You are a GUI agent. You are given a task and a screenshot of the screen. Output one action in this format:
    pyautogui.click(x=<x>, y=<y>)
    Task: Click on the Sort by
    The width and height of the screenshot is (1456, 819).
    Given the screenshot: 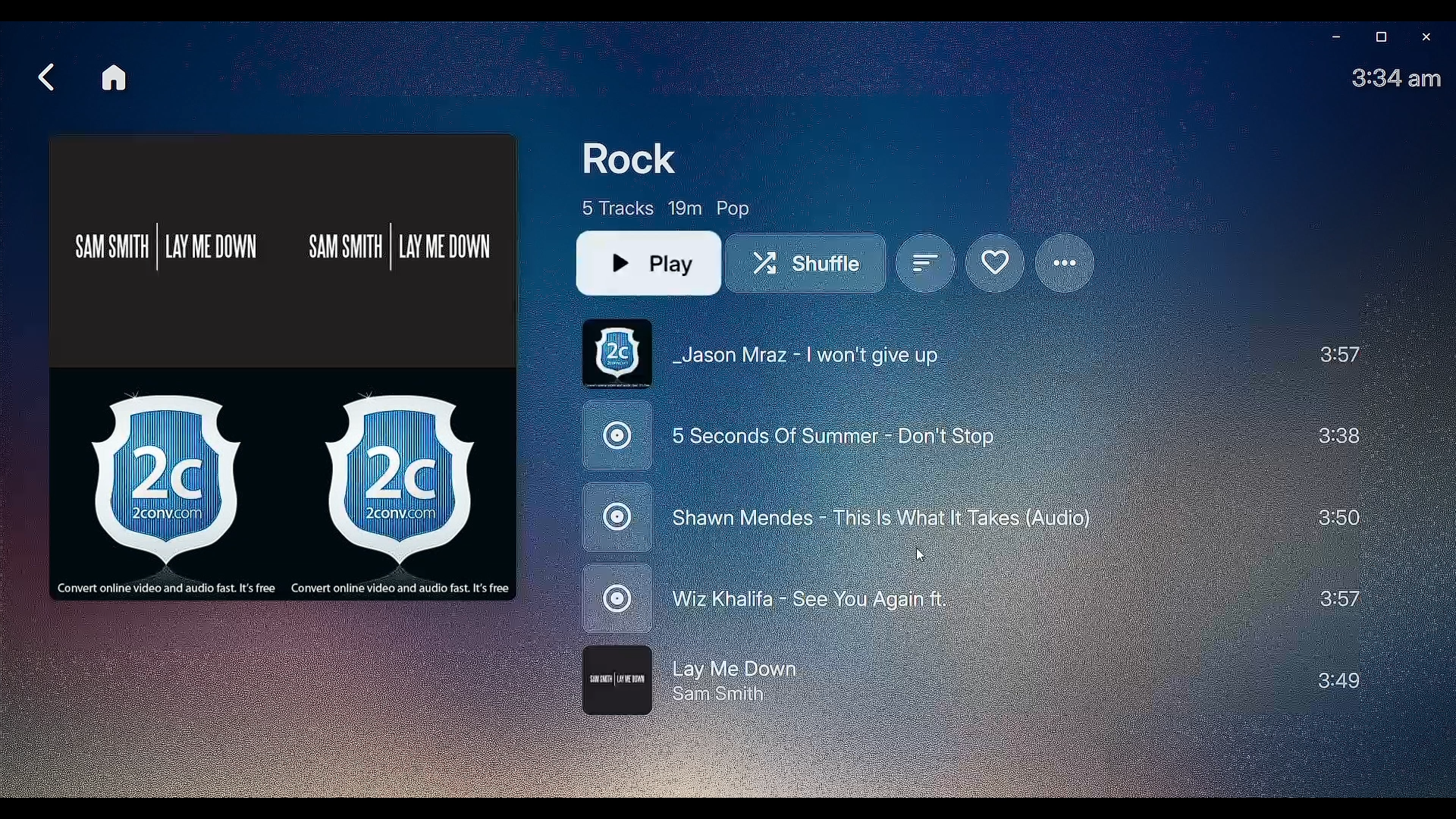 What is the action you would take?
    pyautogui.click(x=927, y=266)
    